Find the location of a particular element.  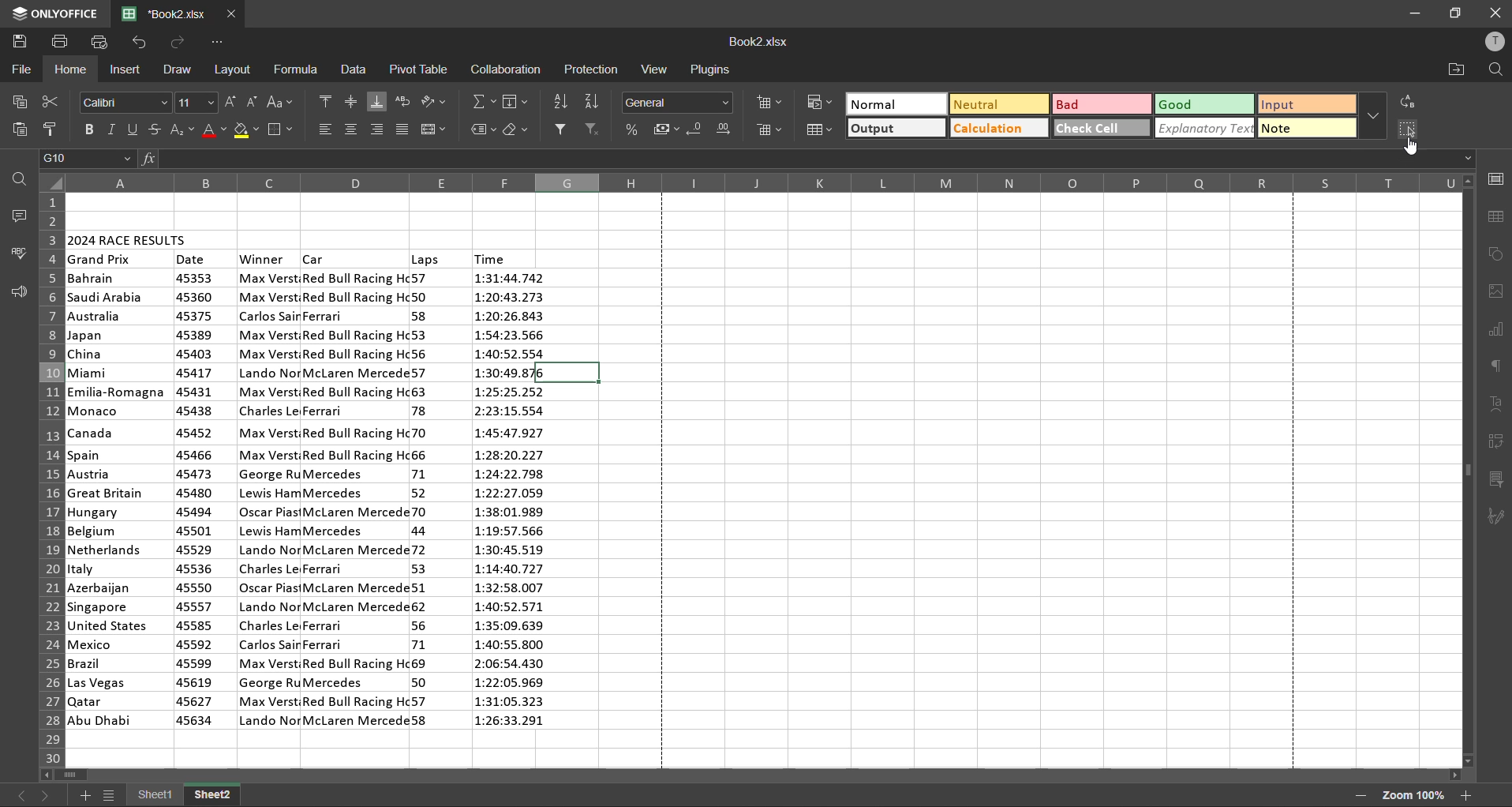

cell address is located at coordinates (87, 160).